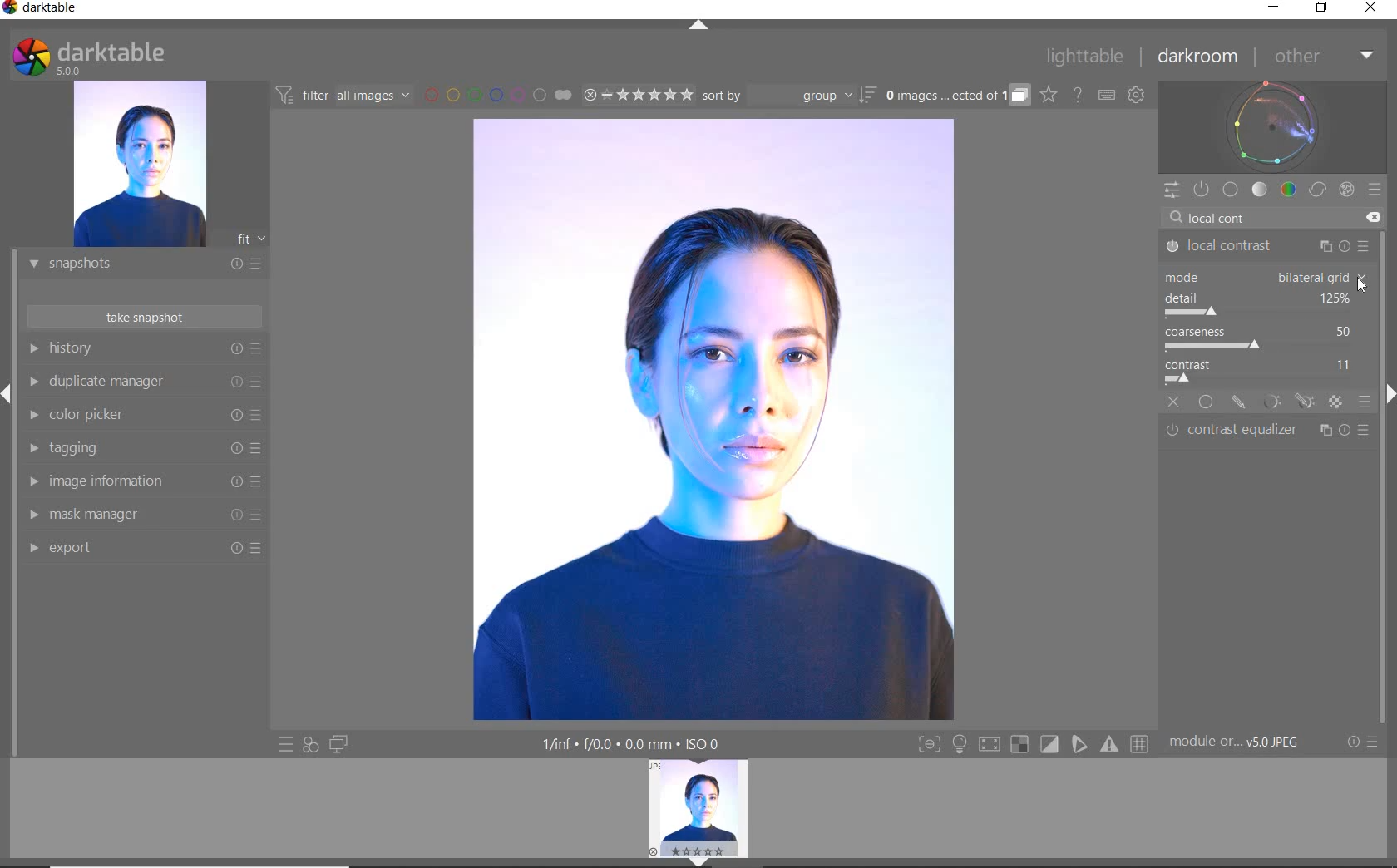  What do you see at coordinates (1080, 744) in the screenshot?
I see `Button` at bounding box center [1080, 744].